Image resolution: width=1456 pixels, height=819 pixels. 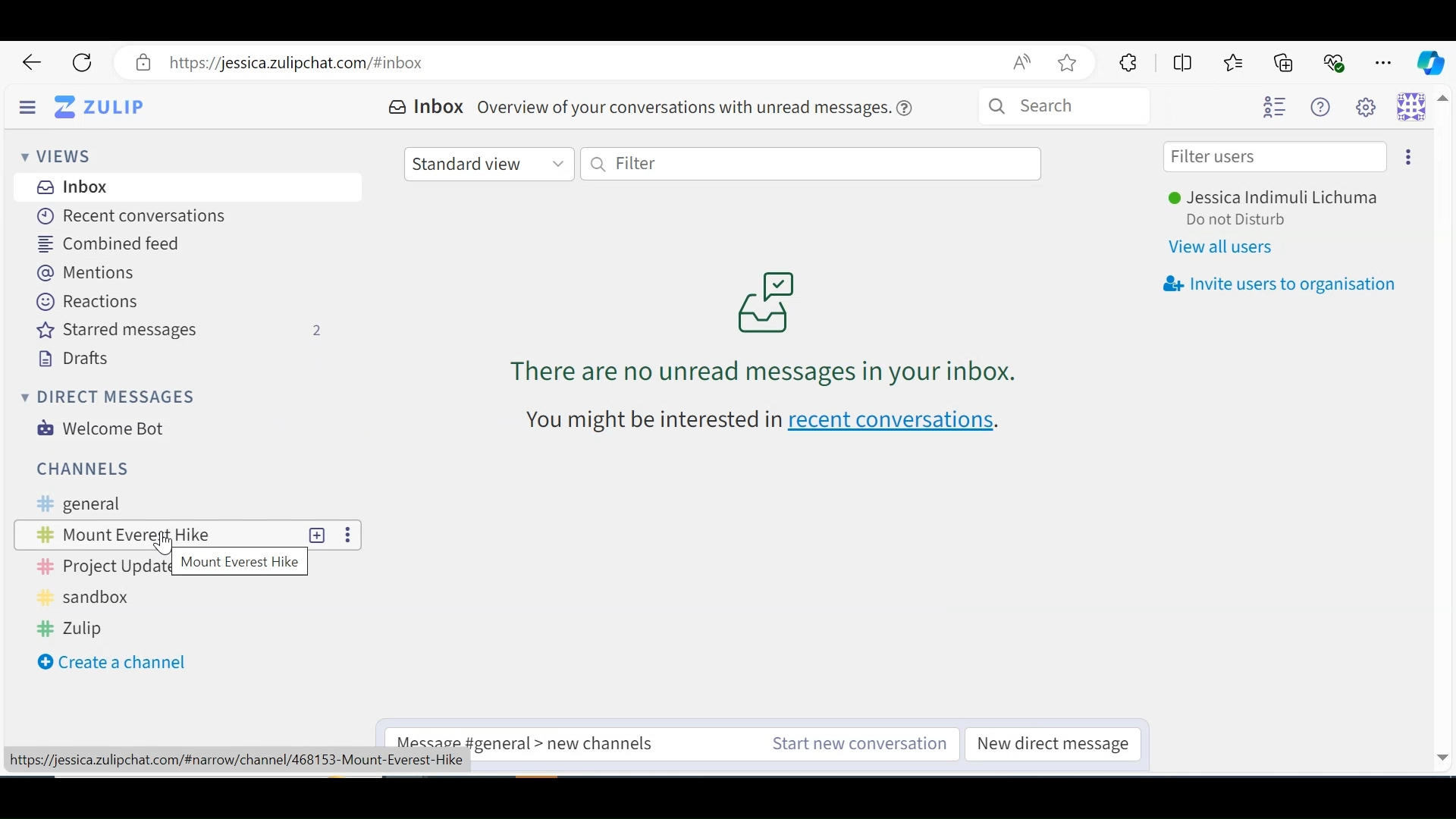 I want to click on Views, so click(x=55, y=155).